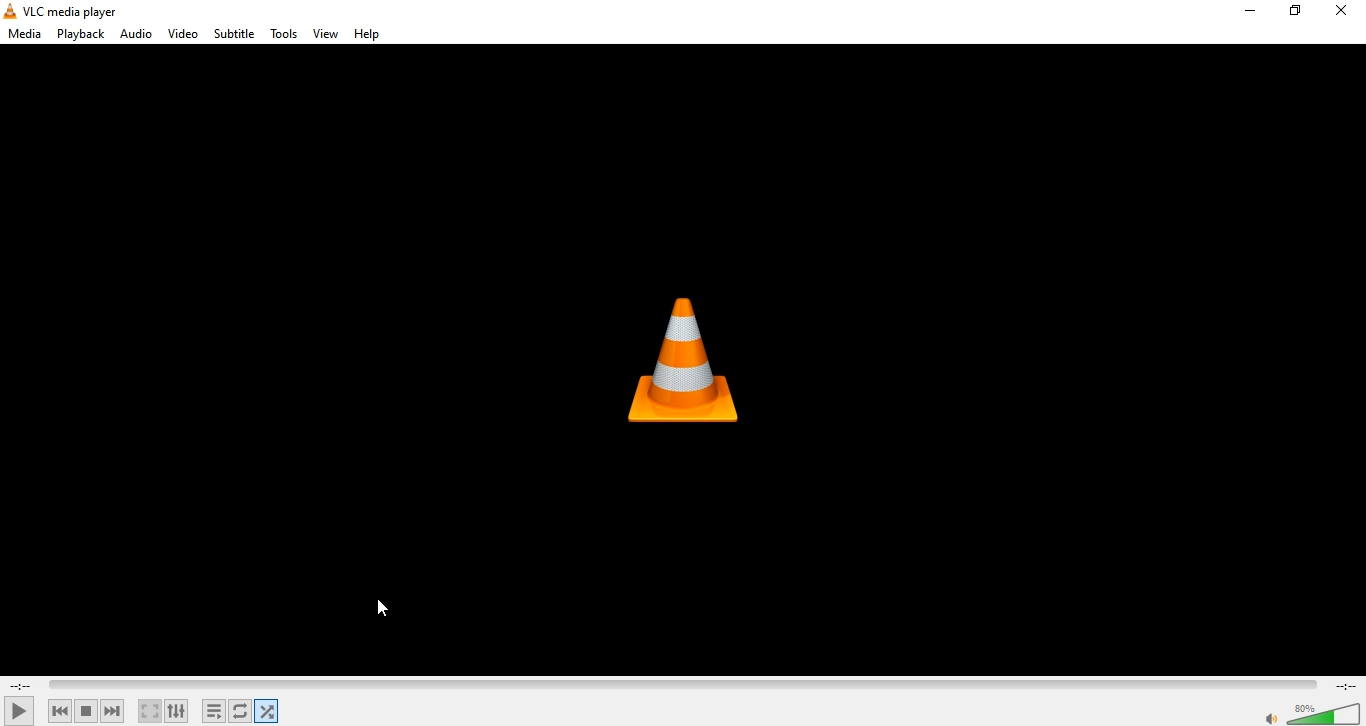 The height and width of the screenshot is (726, 1366). Describe the element at coordinates (19, 709) in the screenshot. I see `play` at that location.